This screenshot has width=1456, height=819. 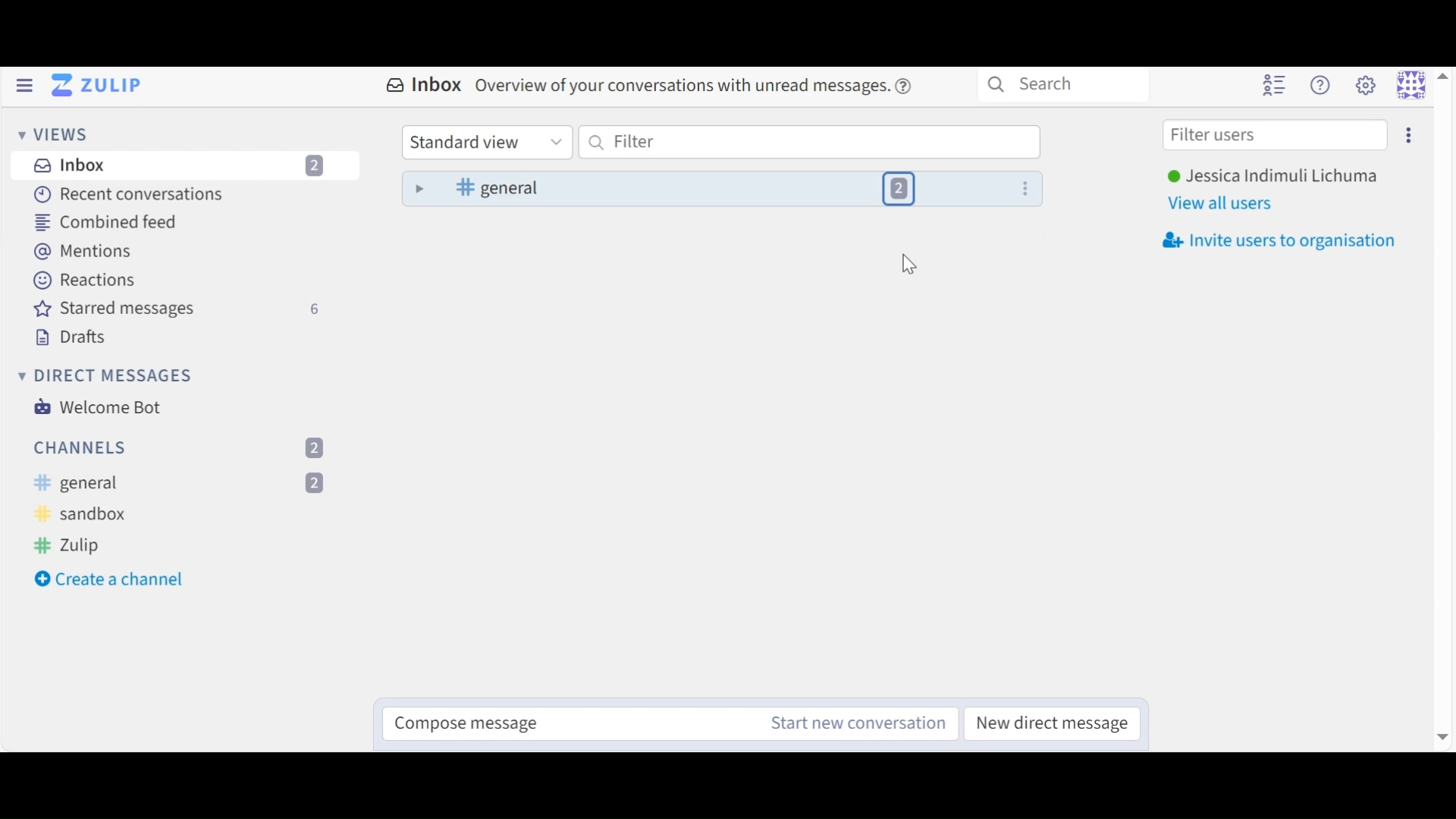 I want to click on Reactions, so click(x=85, y=279).